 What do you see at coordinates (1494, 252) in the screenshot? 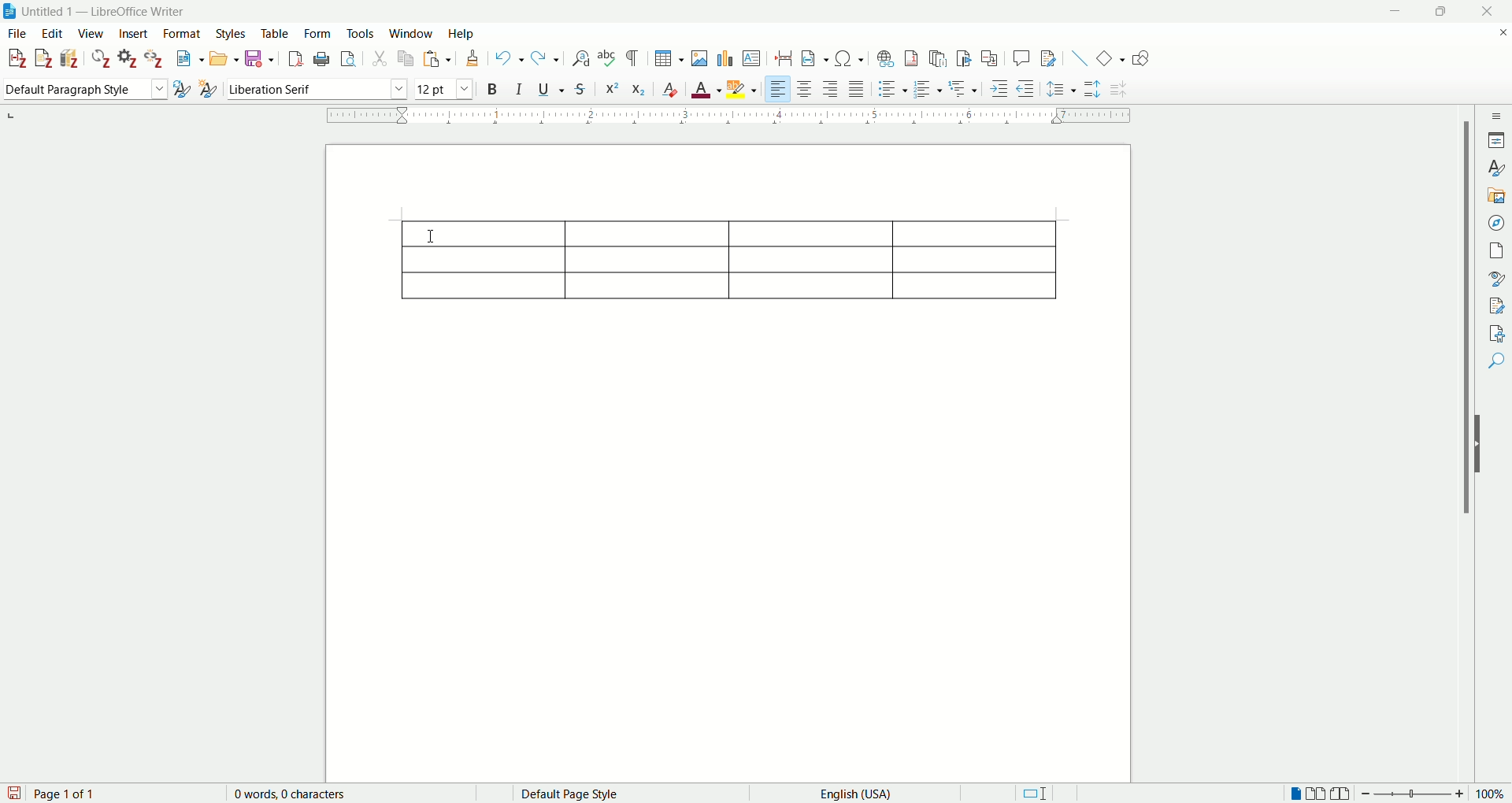
I see `page` at bounding box center [1494, 252].